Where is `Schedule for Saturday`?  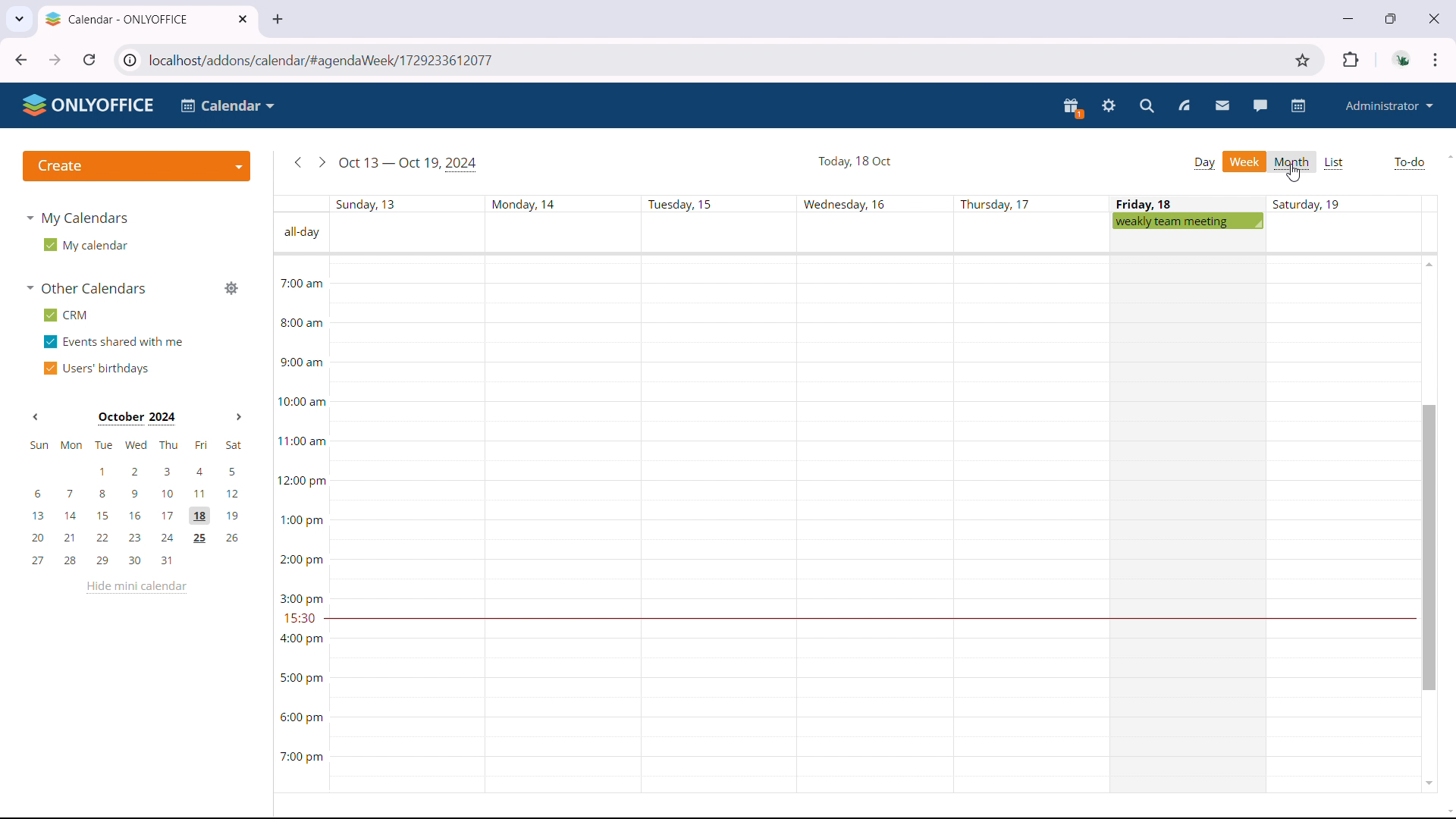
Schedule for Saturday is located at coordinates (1340, 526).